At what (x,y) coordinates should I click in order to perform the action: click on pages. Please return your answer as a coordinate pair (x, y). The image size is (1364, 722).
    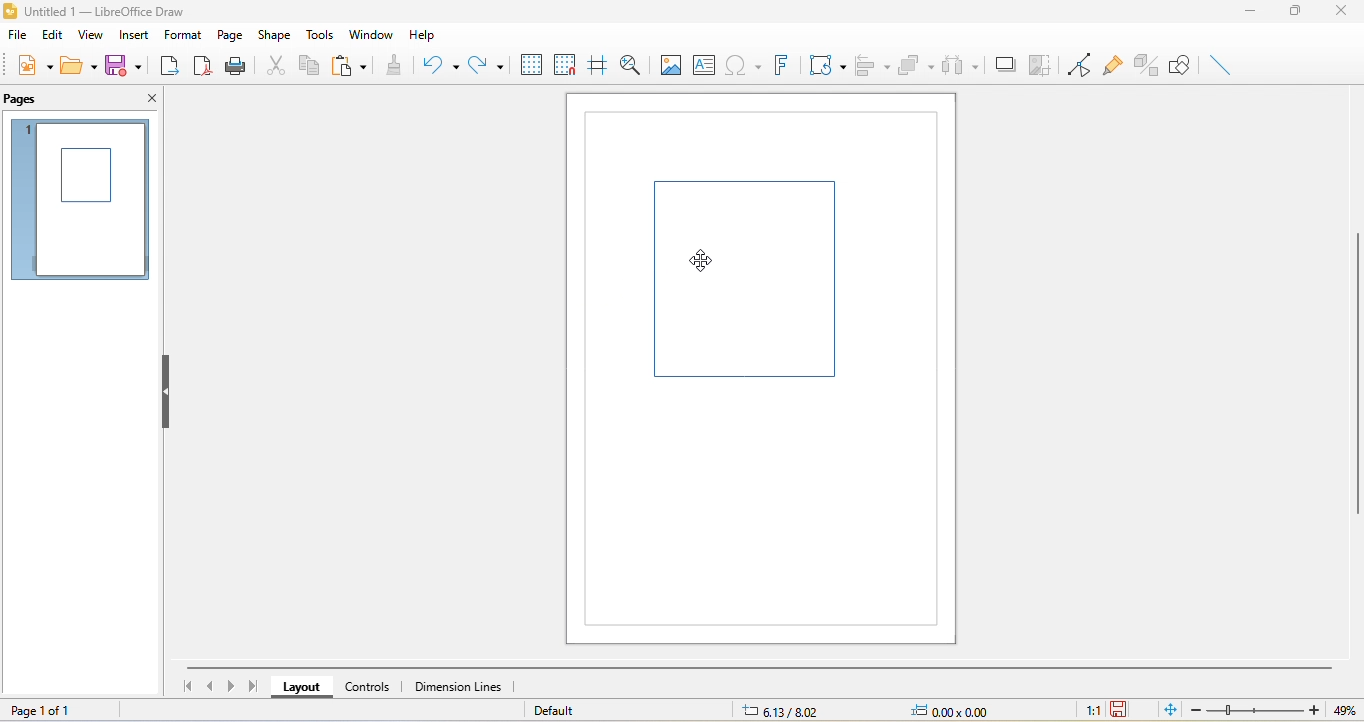
    Looking at the image, I should click on (25, 101).